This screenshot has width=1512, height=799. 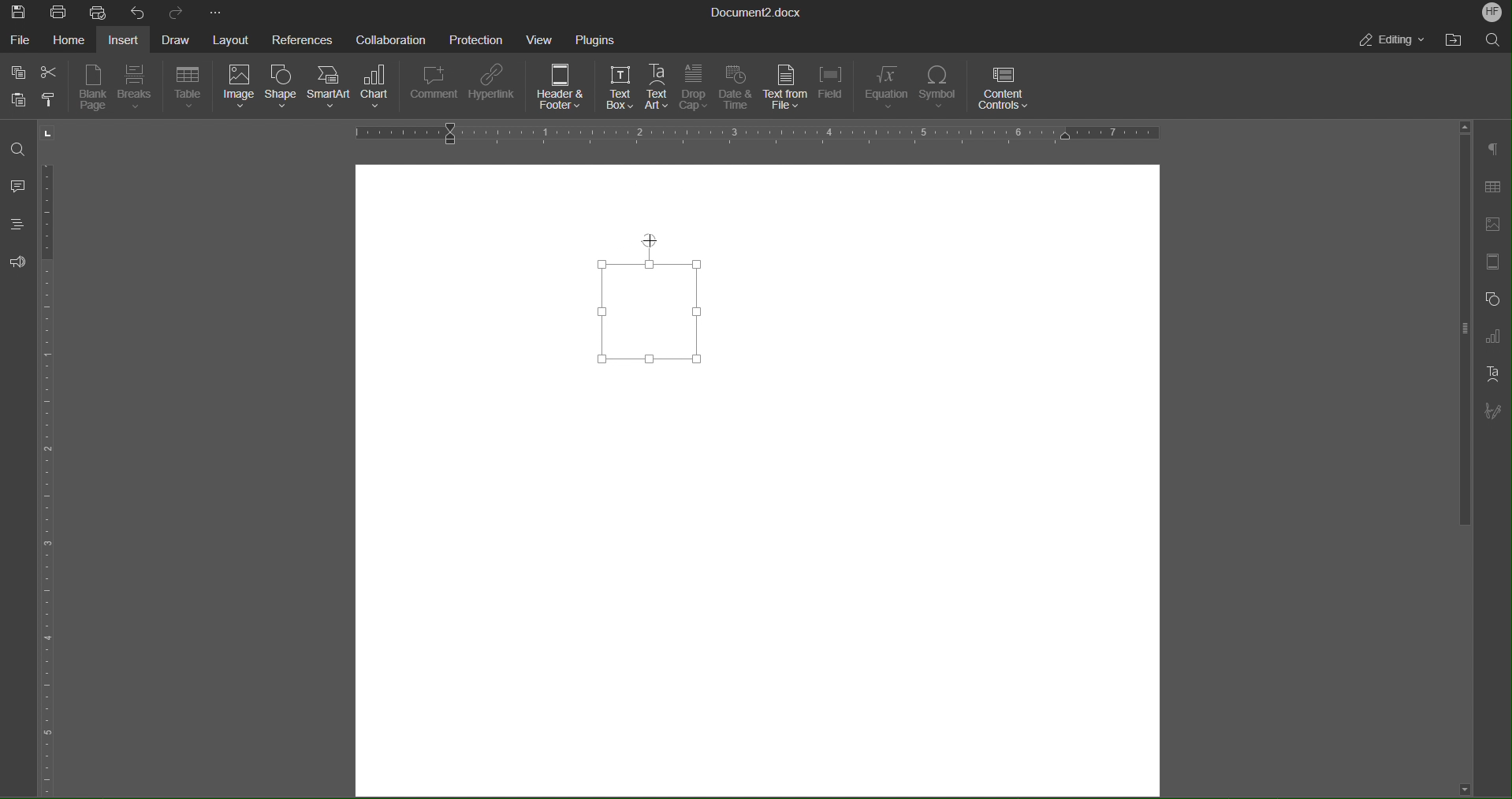 What do you see at coordinates (20, 11) in the screenshot?
I see `Save` at bounding box center [20, 11].